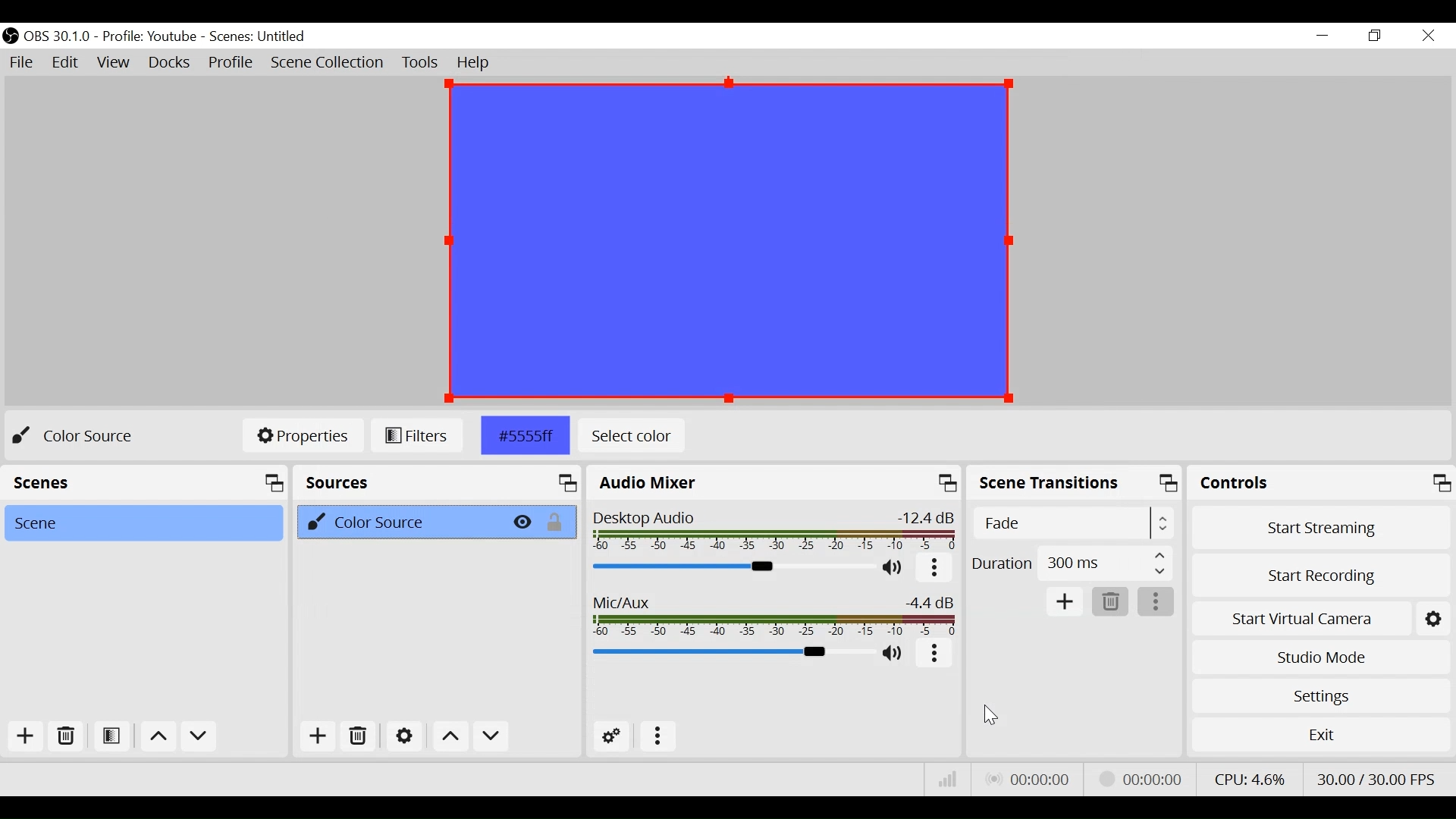 This screenshot has height=819, width=1456. I want to click on Scene, so click(142, 523).